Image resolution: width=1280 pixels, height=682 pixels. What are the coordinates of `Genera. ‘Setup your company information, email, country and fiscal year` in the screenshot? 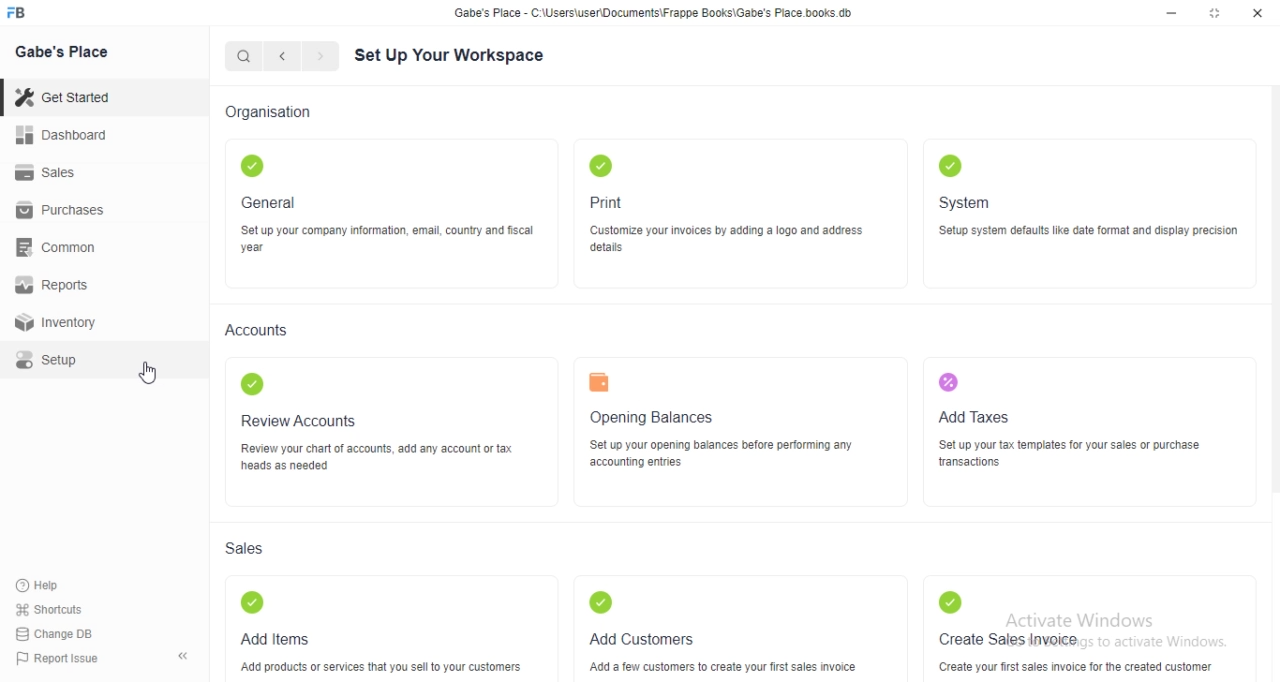 It's located at (379, 204).